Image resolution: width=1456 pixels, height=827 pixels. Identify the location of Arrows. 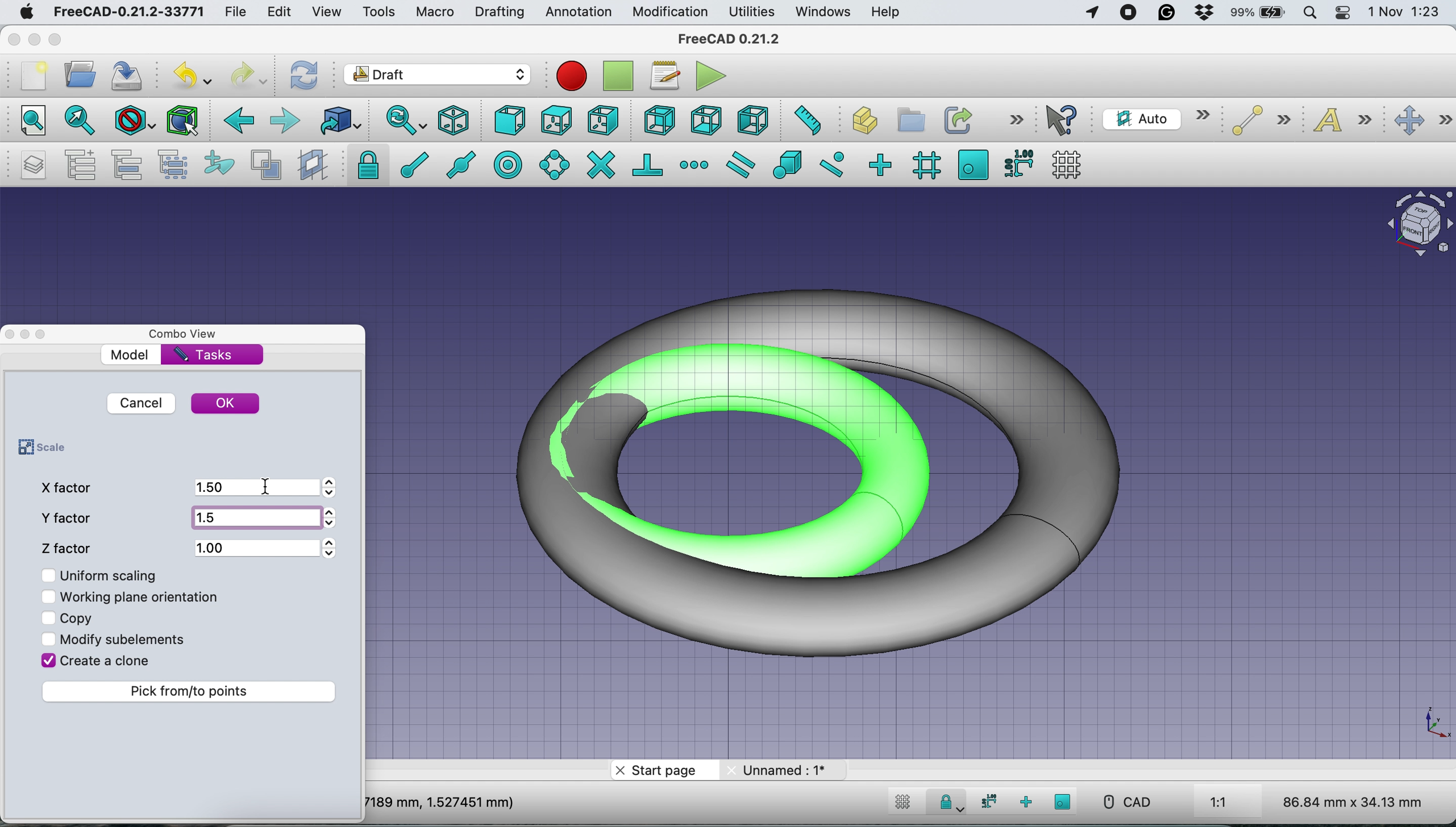
(334, 519).